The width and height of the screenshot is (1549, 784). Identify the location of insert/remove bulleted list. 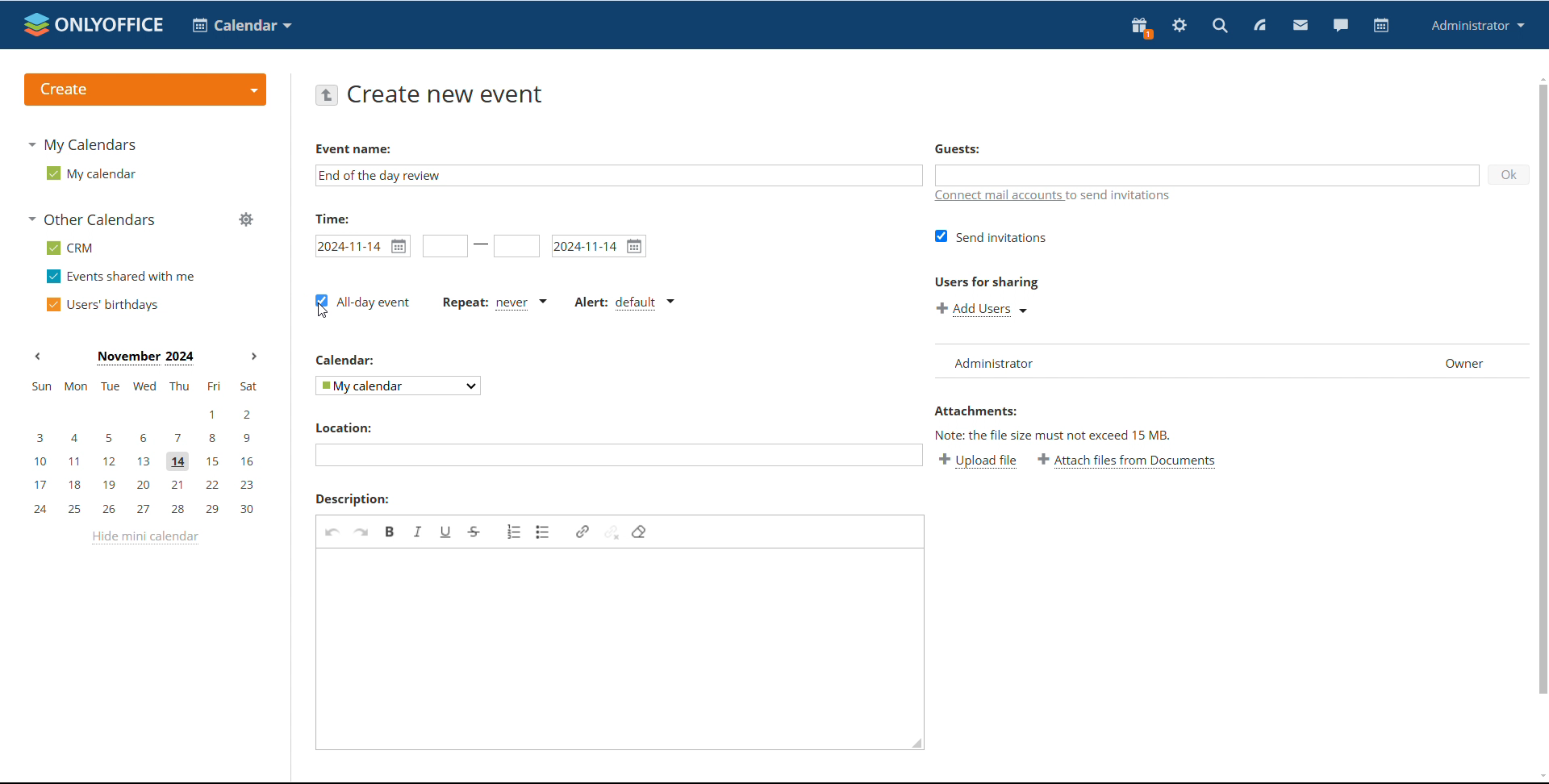
(544, 532).